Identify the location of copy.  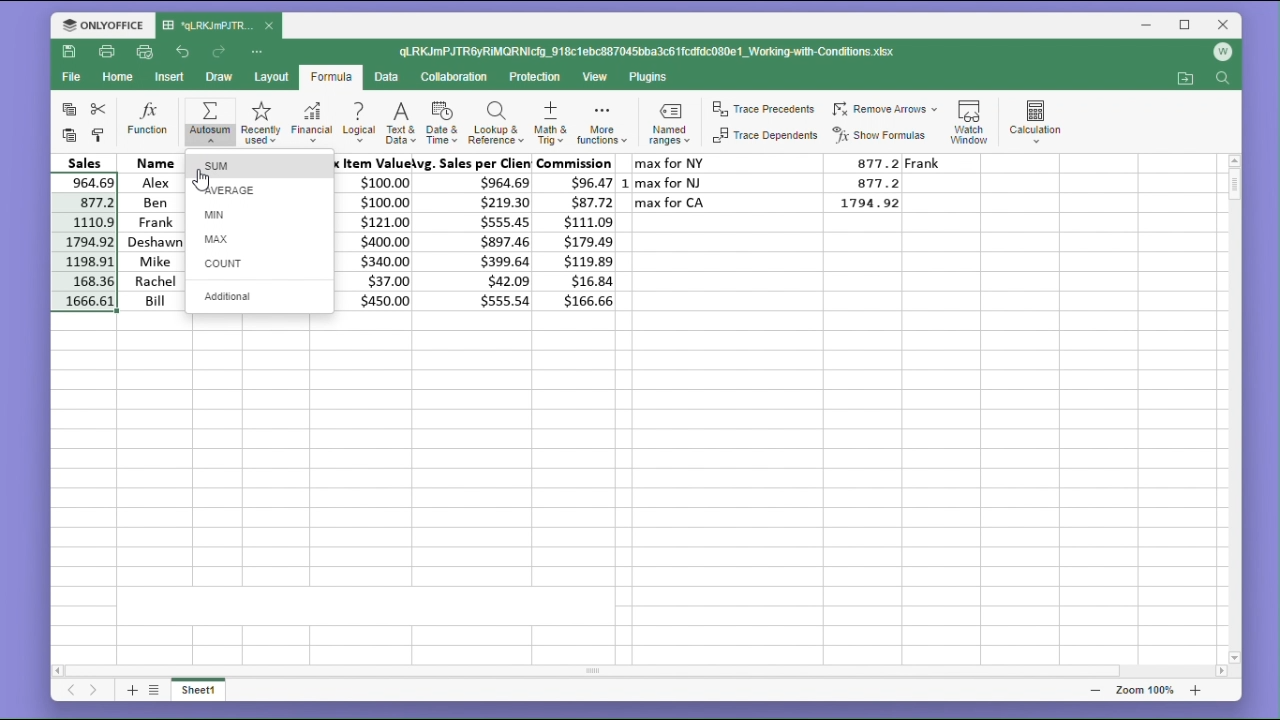
(66, 110).